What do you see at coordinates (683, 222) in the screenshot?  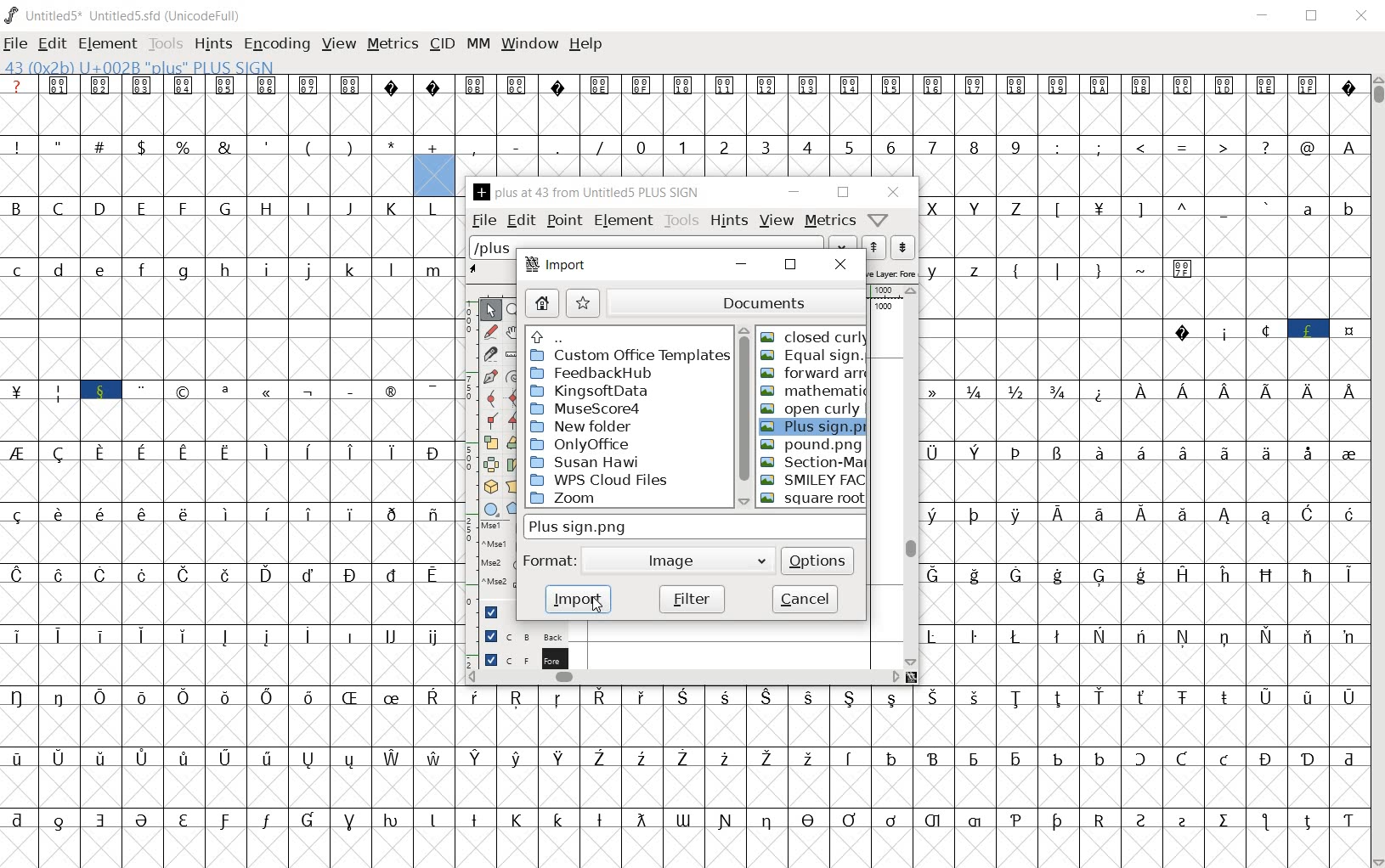 I see `tools` at bounding box center [683, 222].